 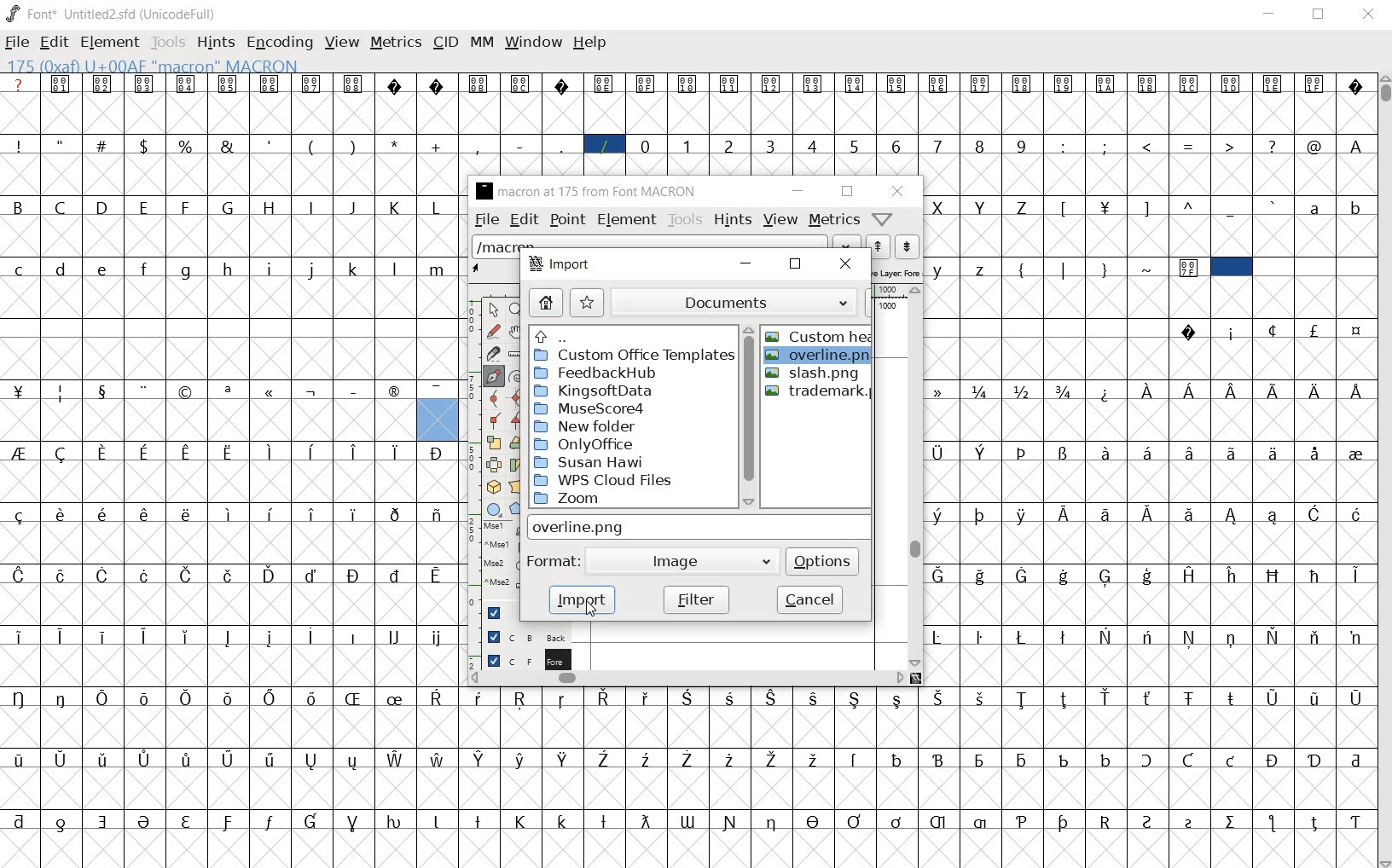 What do you see at coordinates (107, 514) in the screenshot?
I see `Symbol` at bounding box center [107, 514].